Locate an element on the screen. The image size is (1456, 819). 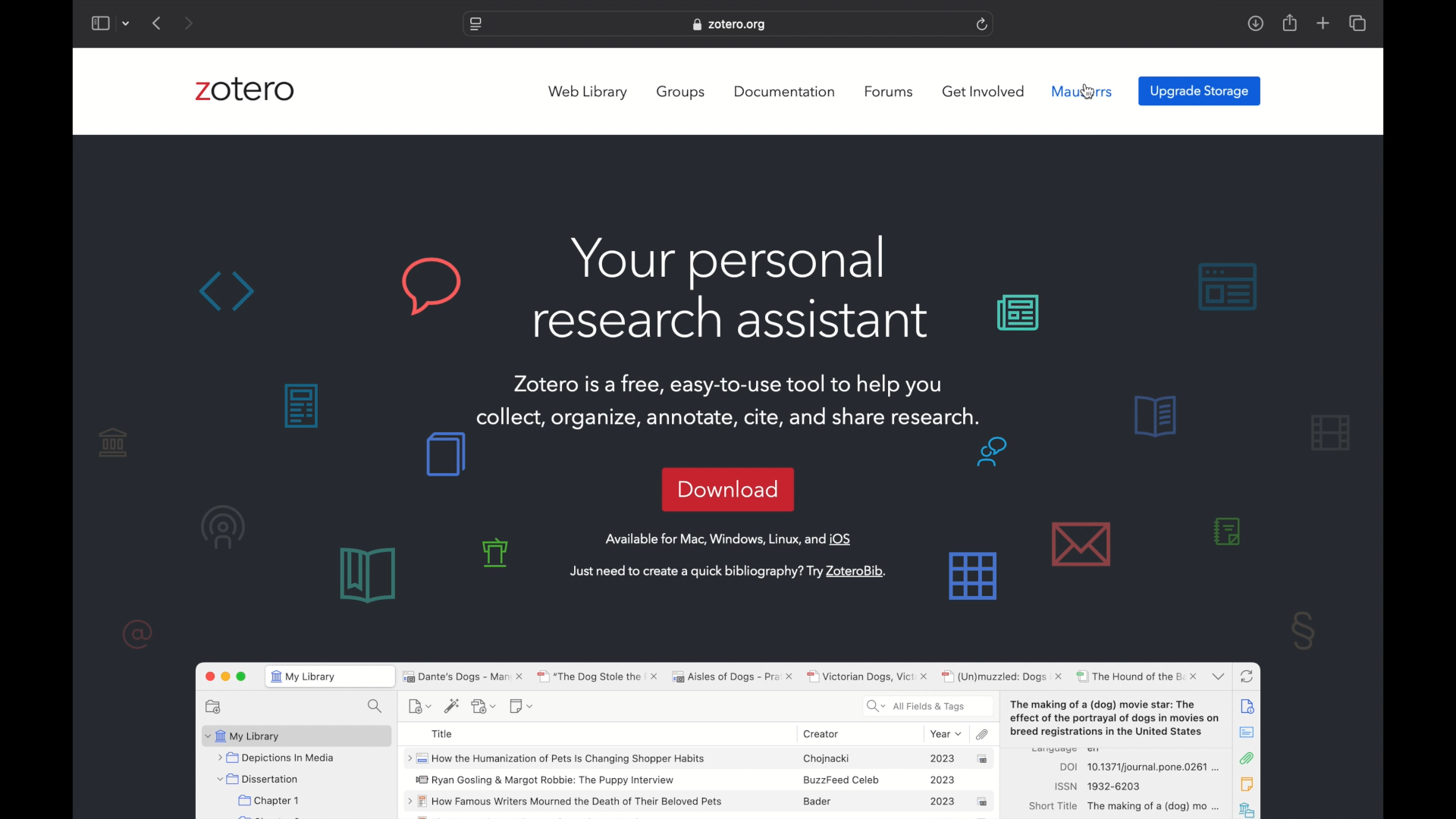
available for mac, windows, linux and OS is located at coordinates (727, 539).